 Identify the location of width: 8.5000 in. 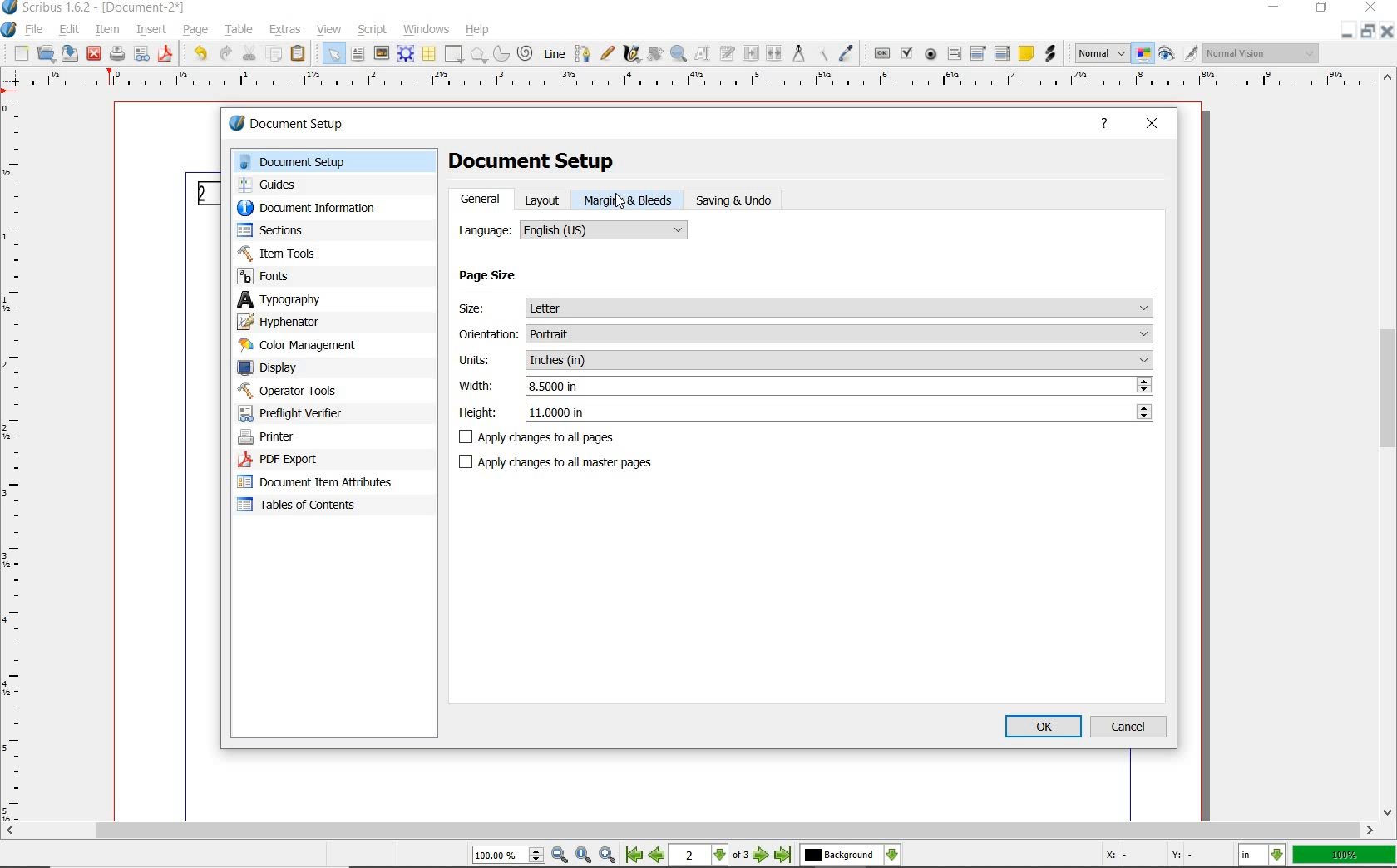
(803, 387).